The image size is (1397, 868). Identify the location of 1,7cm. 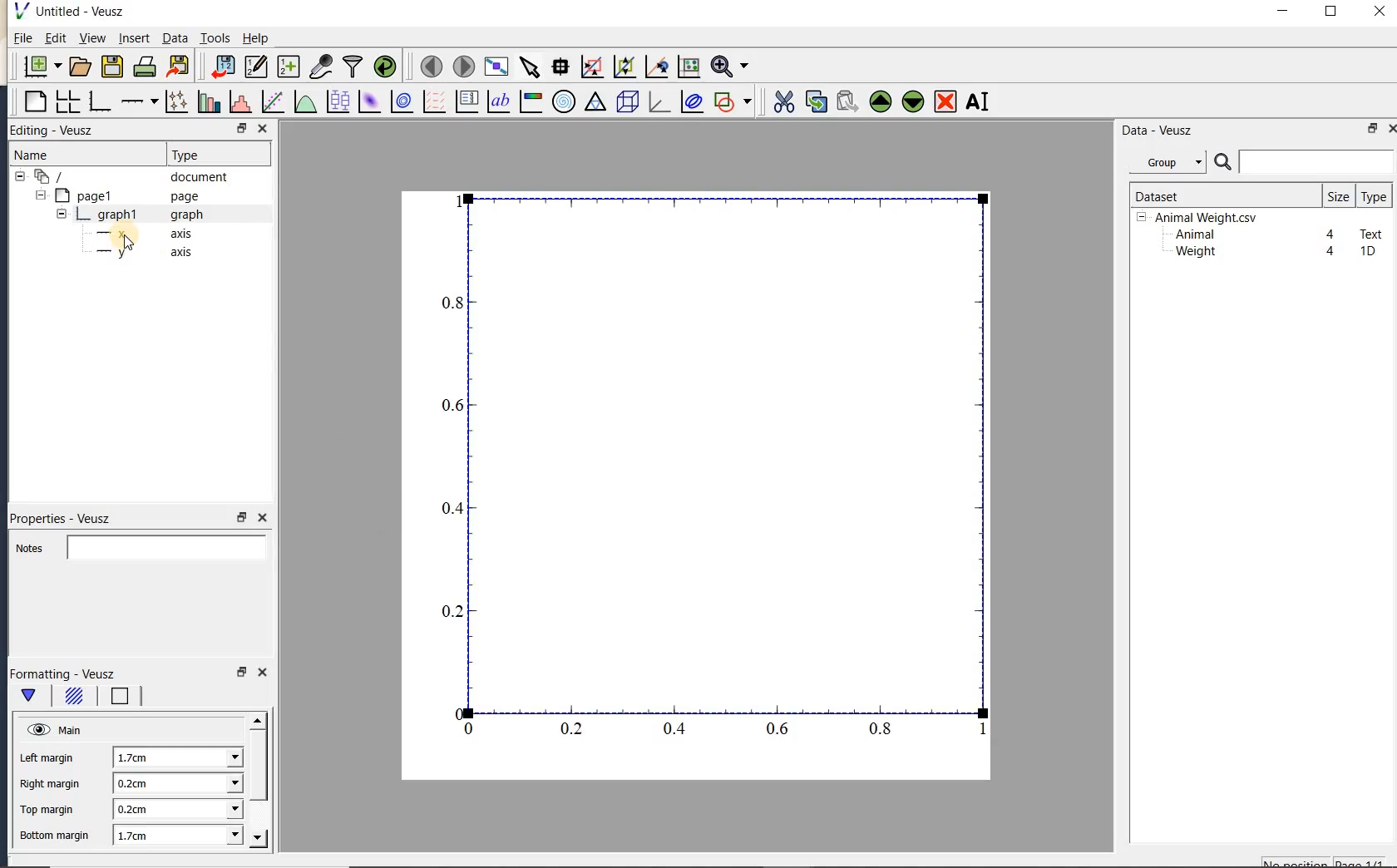
(178, 759).